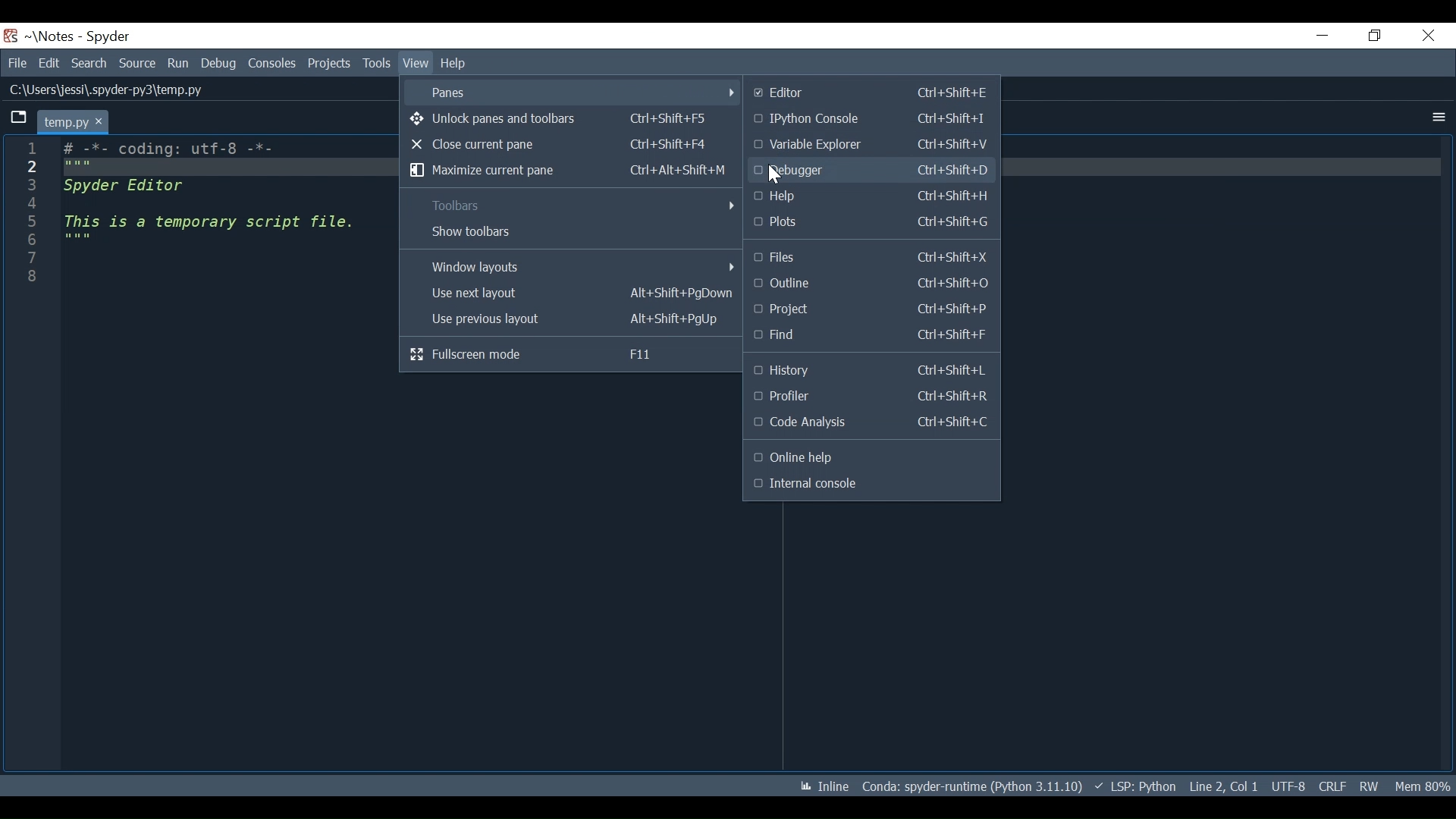  I want to click on Help, so click(870, 196).